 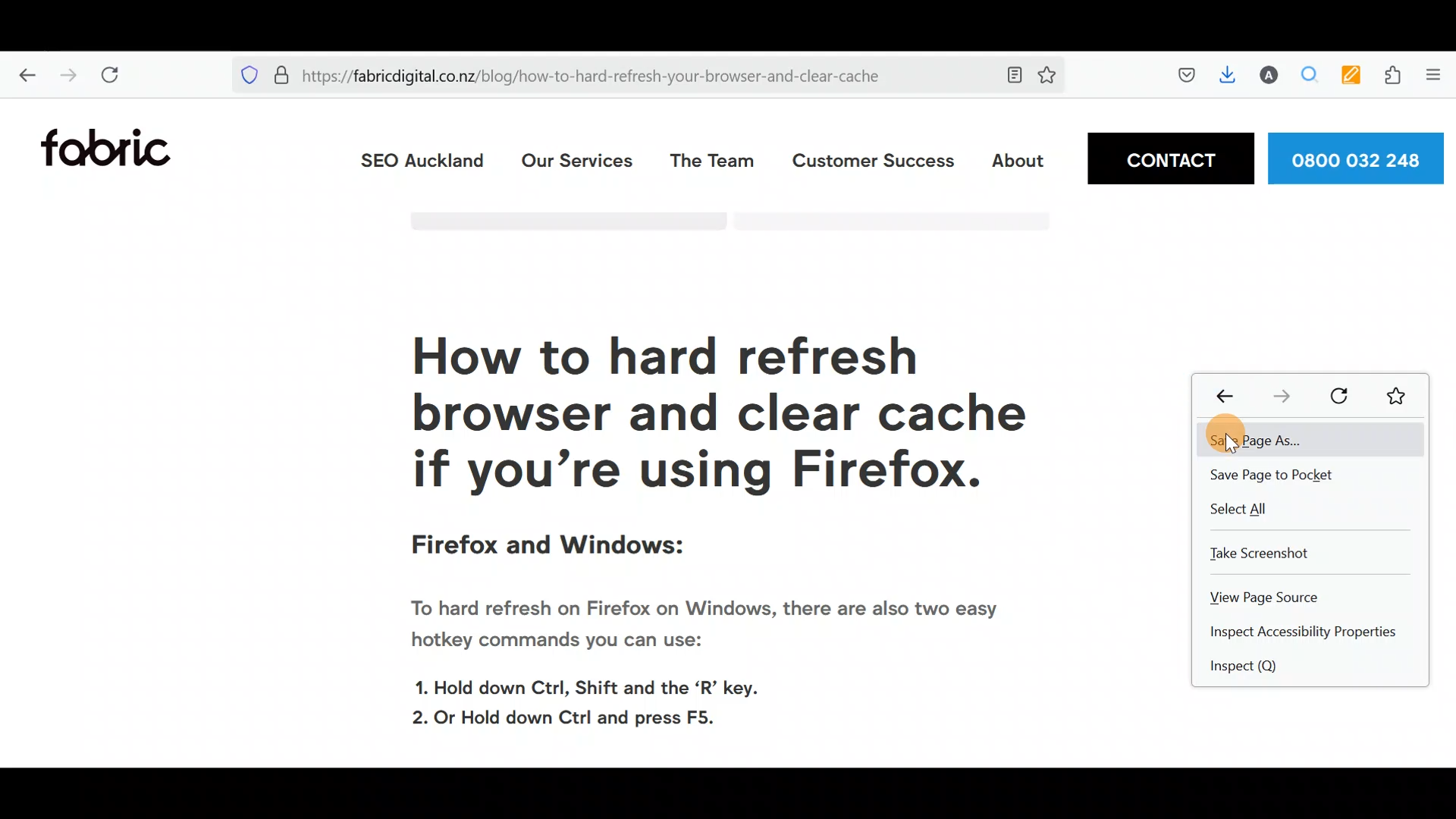 I want to click on Go forward one page, so click(x=65, y=76).